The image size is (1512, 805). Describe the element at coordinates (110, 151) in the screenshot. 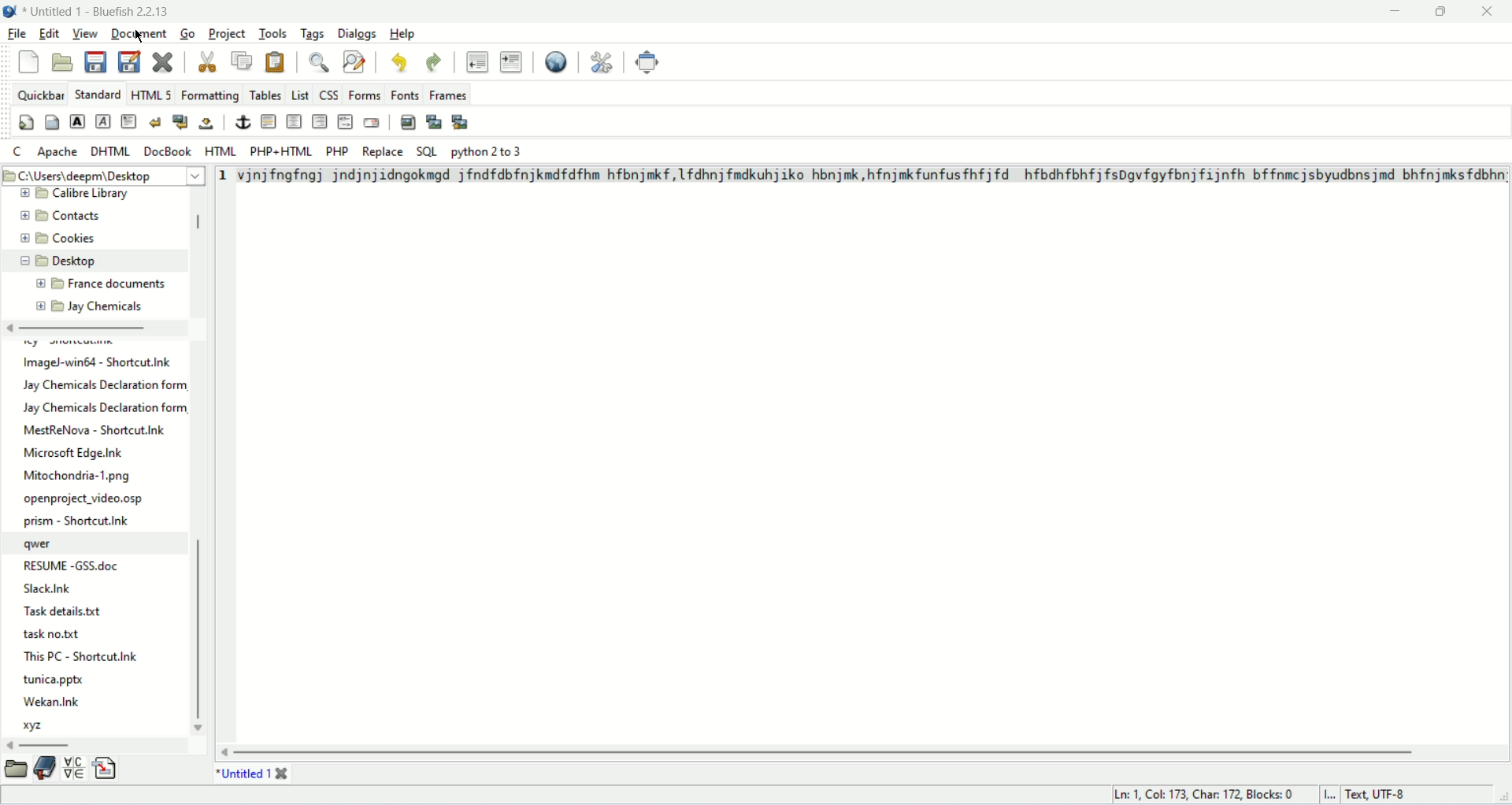

I see `DHTML` at that location.